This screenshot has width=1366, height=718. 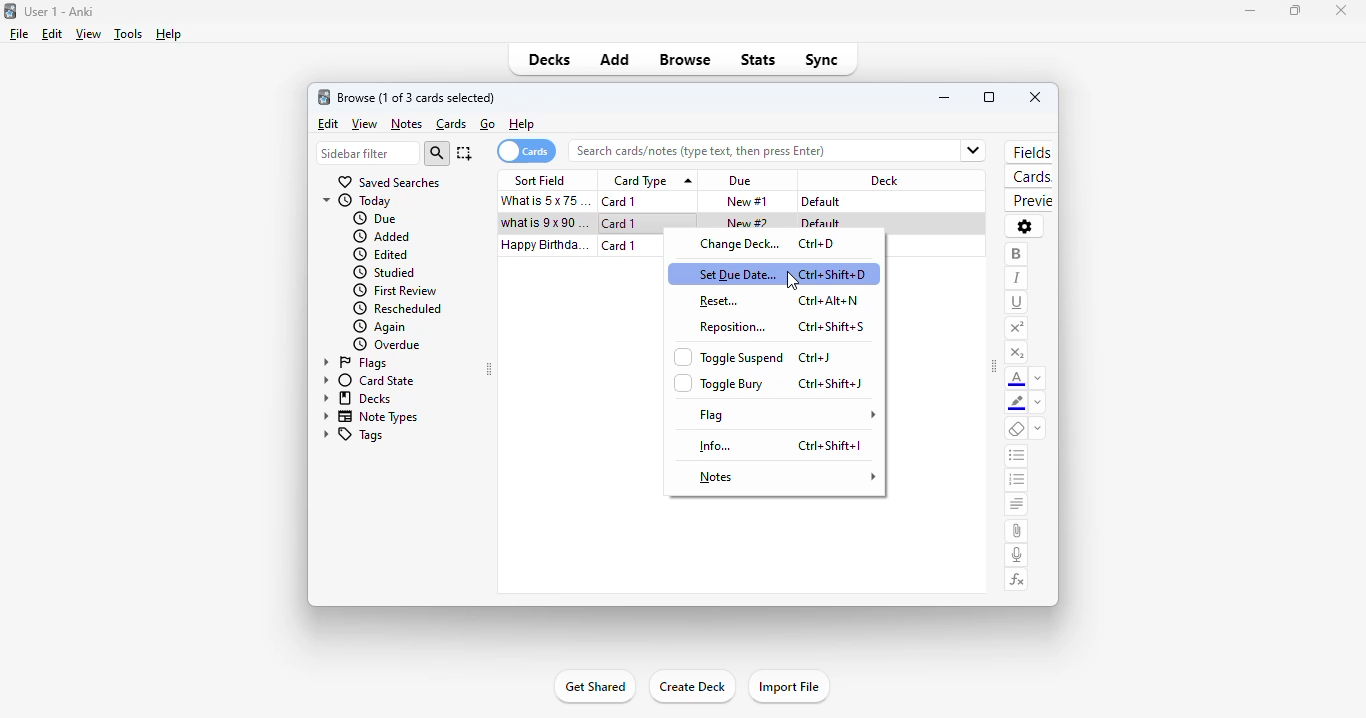 What do you see at coordinates (1038, 404) in the screenshot?
I see `remove color` at bounding box center [1038, 404].